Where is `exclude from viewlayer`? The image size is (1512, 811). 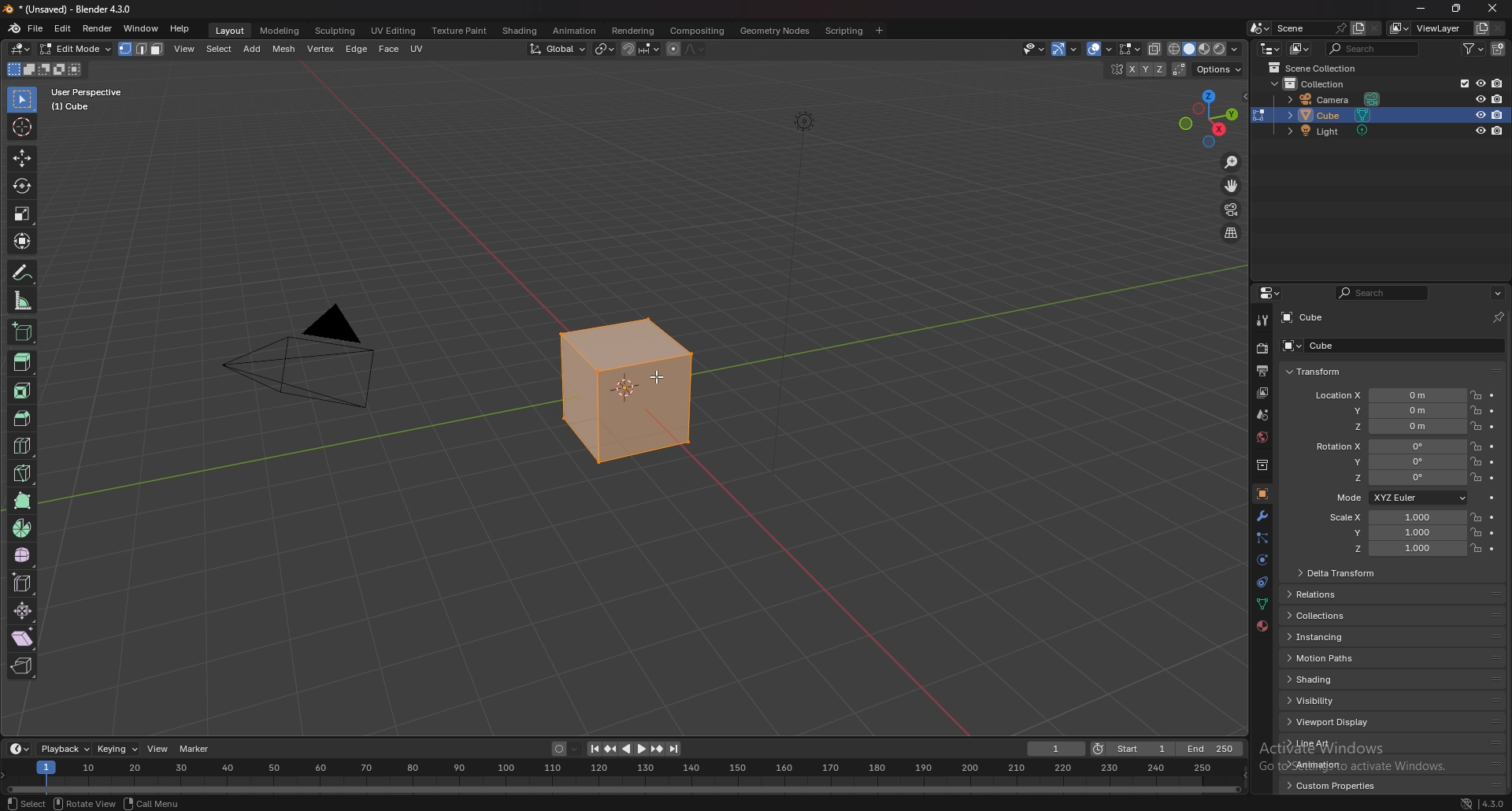 exclude from viewlayer is located at coordinates (1461, 84).